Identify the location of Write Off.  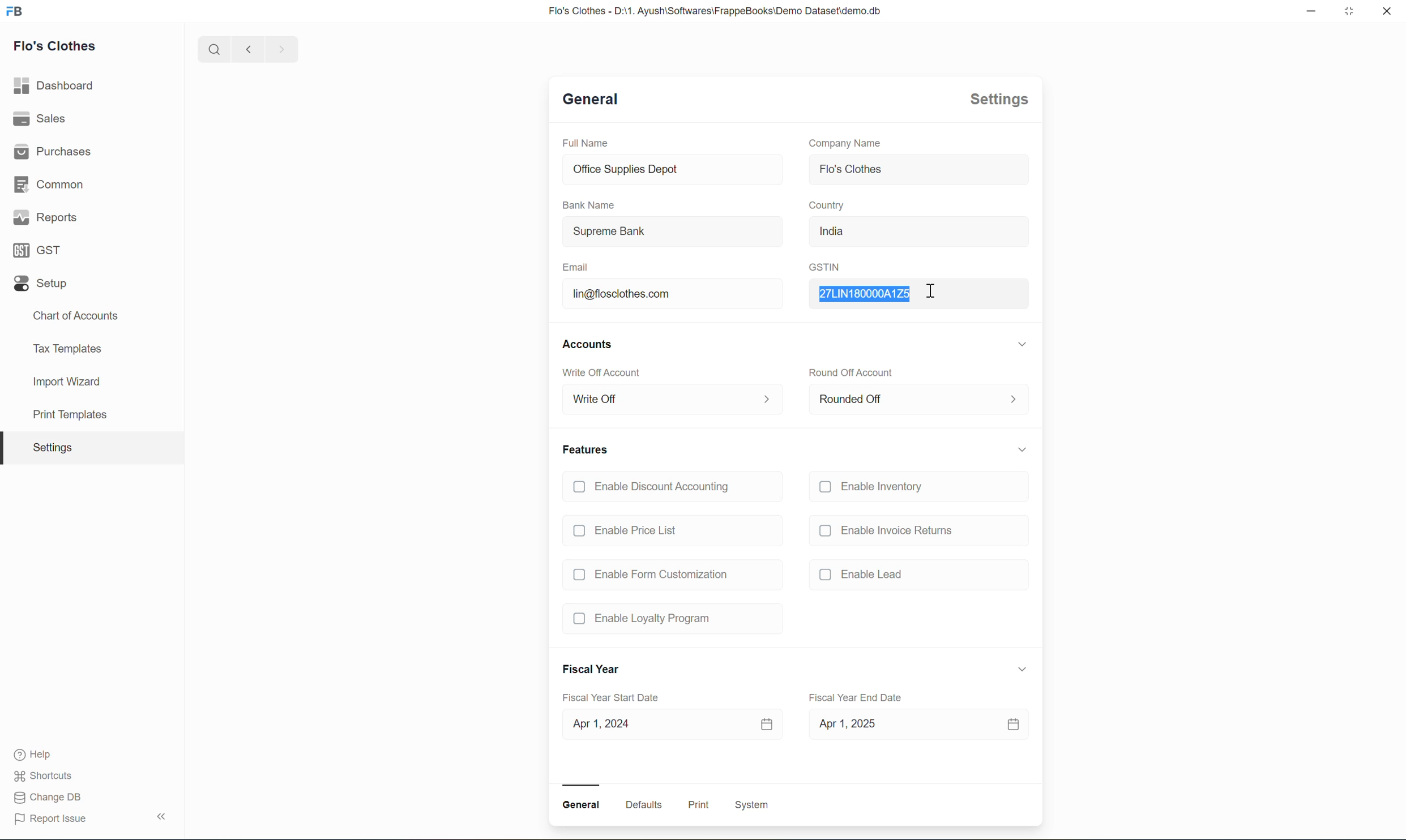
(672, 400).